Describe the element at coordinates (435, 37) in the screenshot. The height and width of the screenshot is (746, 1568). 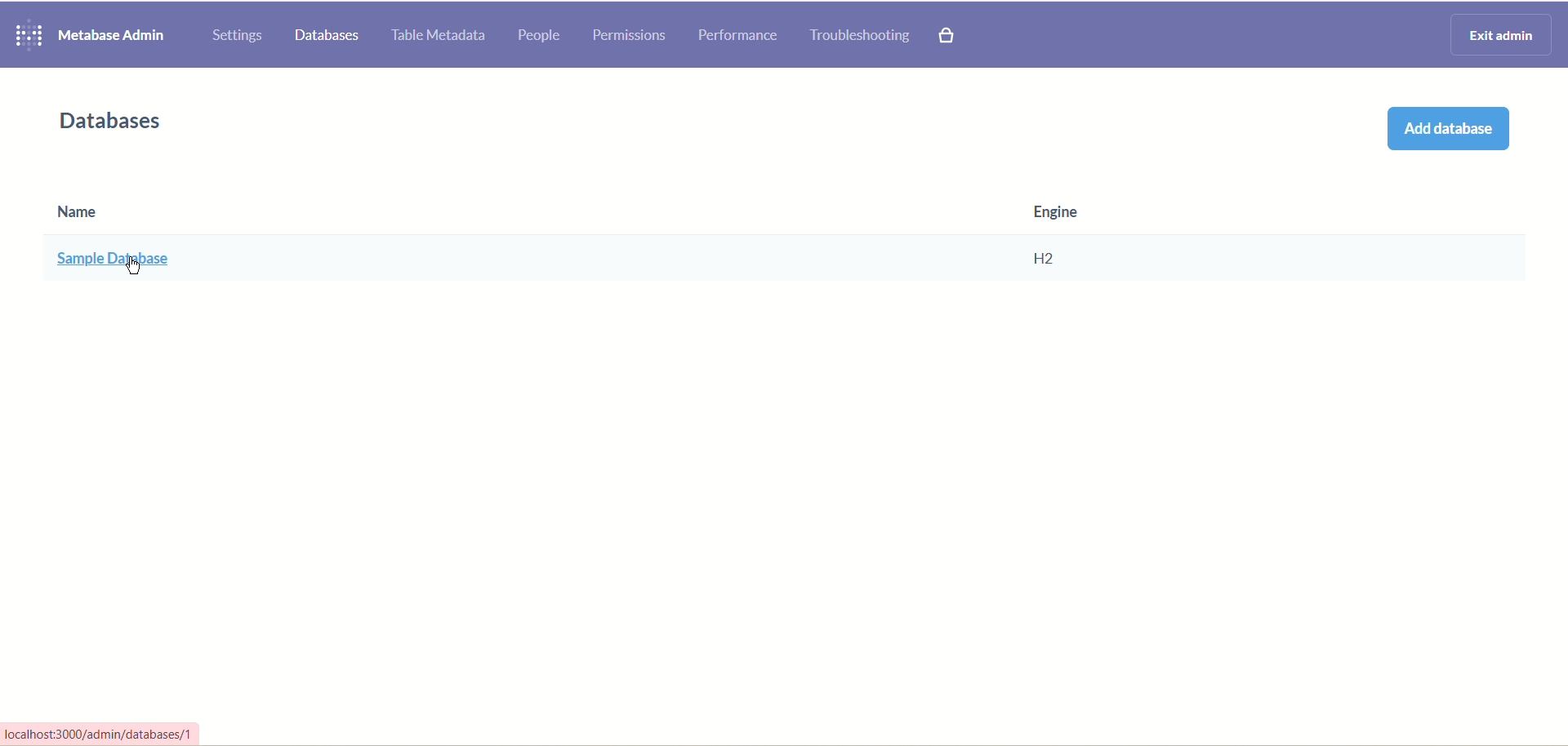
I see `table metabase` at that location.